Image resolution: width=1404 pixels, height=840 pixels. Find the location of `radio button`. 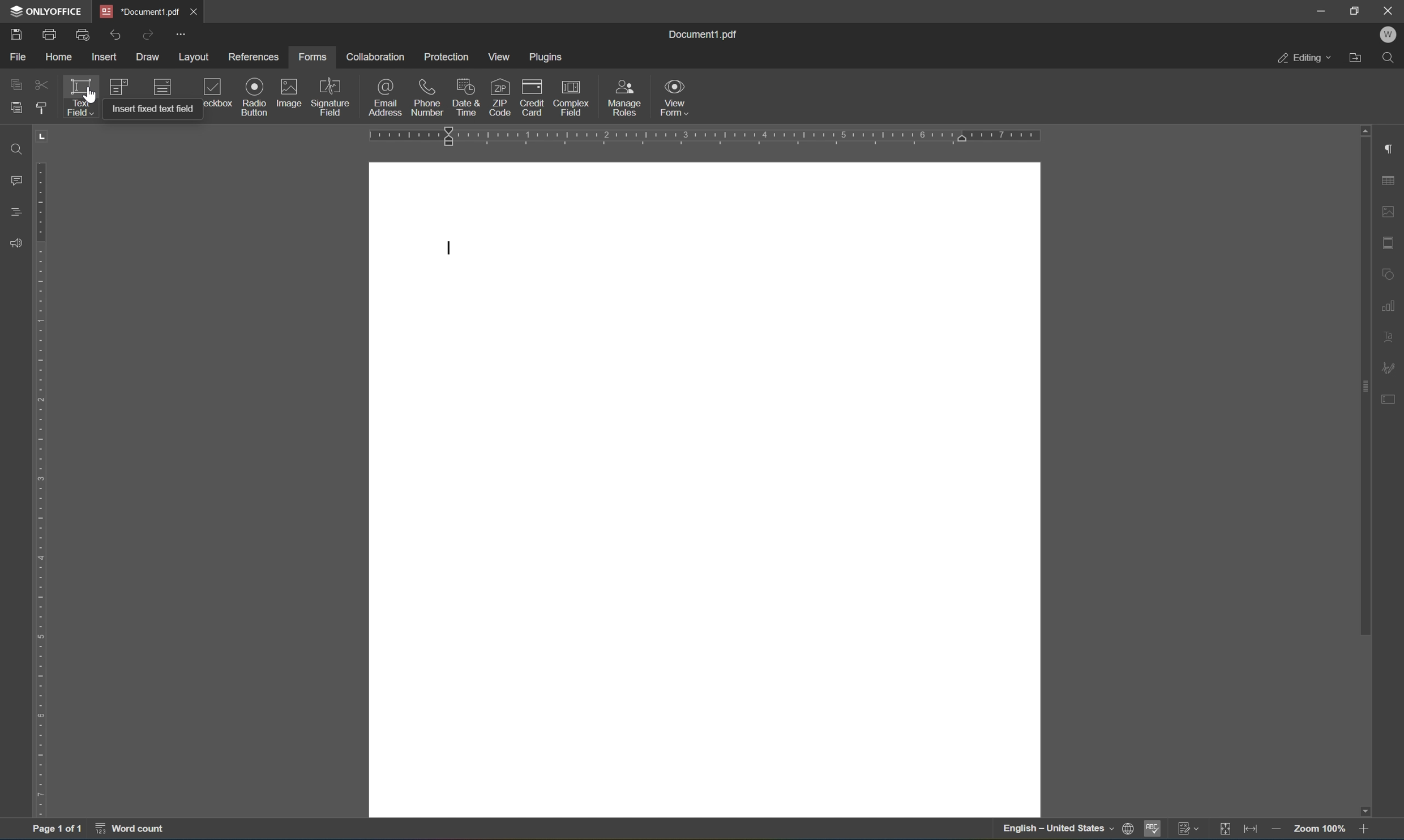

radio button is located at coordinates (254, 96).